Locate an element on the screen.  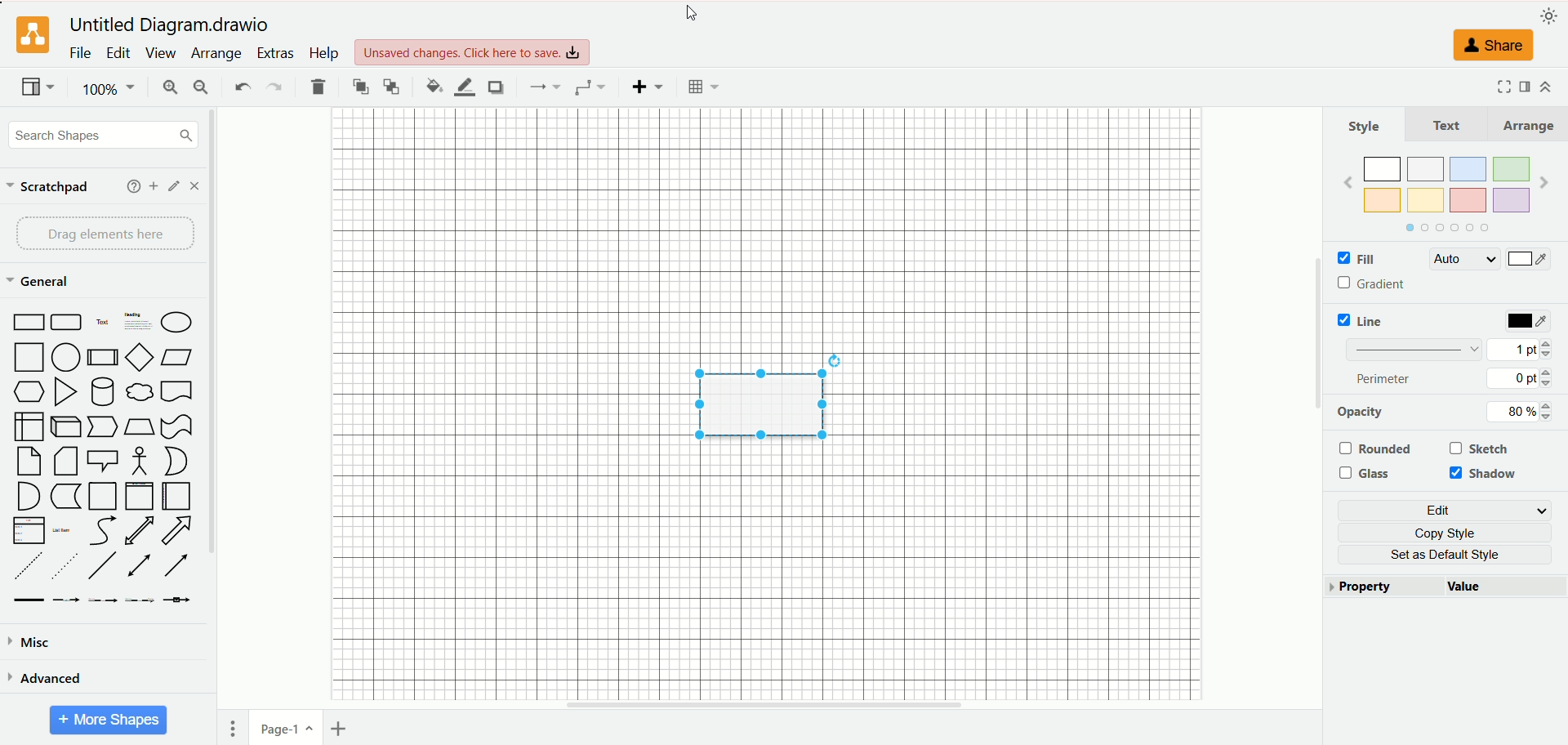
cursor is located at coordinates (692, 13).